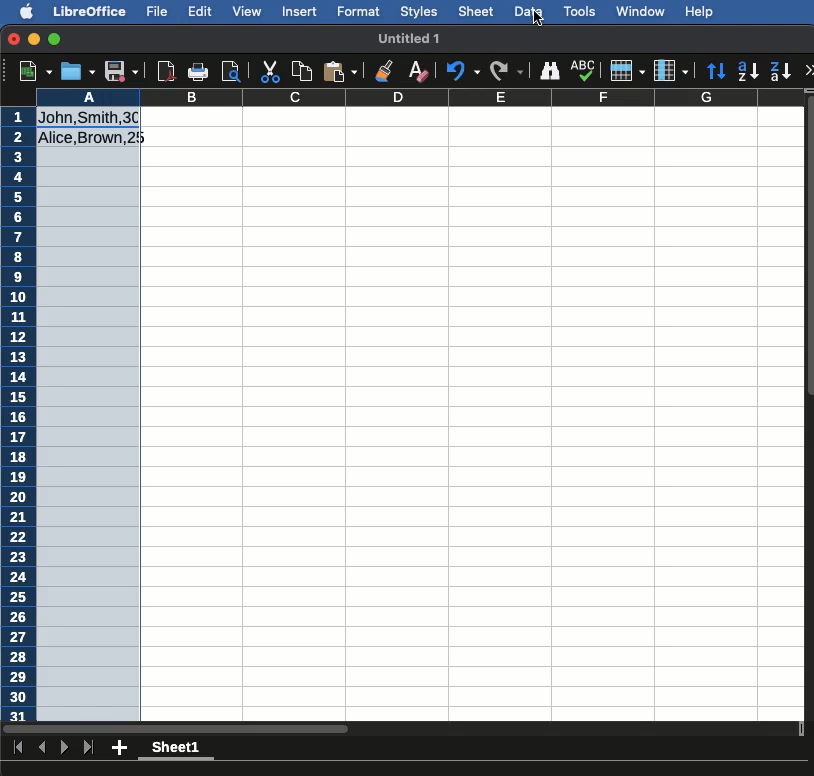 The image size is (814, 776). Describe the element at coordinates (360, 13) in the screenshot. I see `Format` at that location.